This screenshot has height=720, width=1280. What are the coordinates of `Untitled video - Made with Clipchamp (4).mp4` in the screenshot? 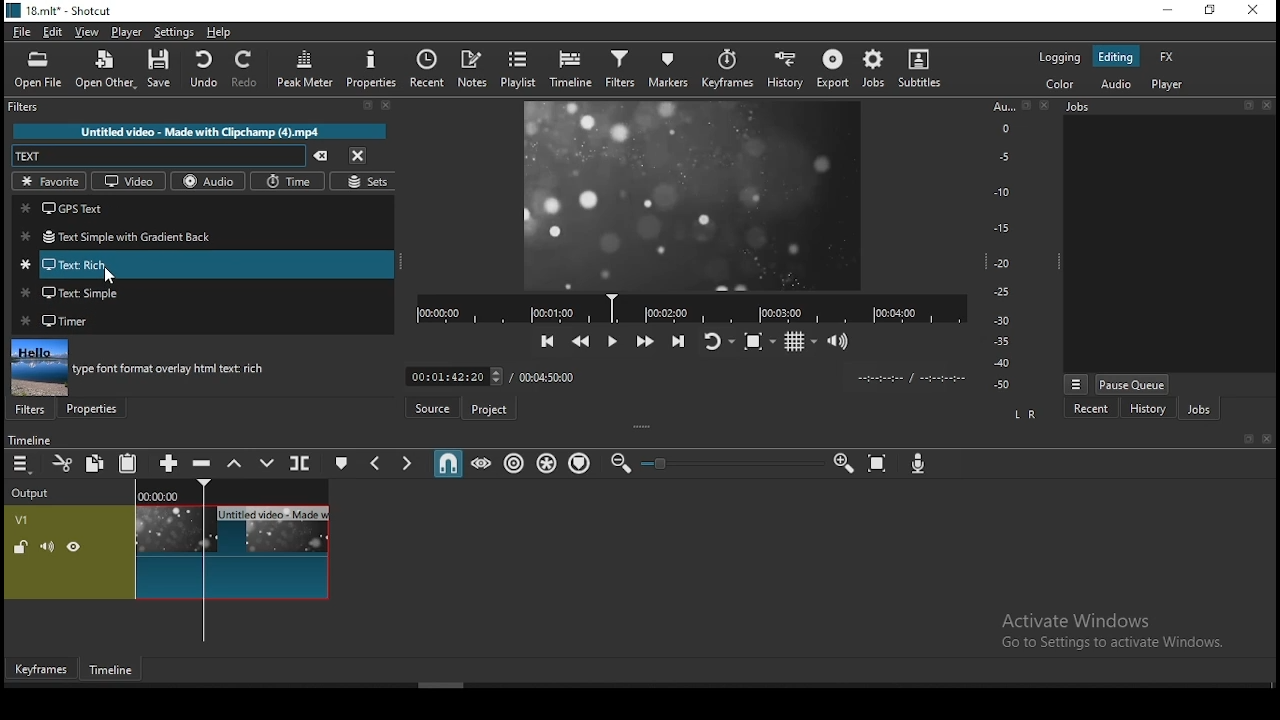 It's located at (200, 131).